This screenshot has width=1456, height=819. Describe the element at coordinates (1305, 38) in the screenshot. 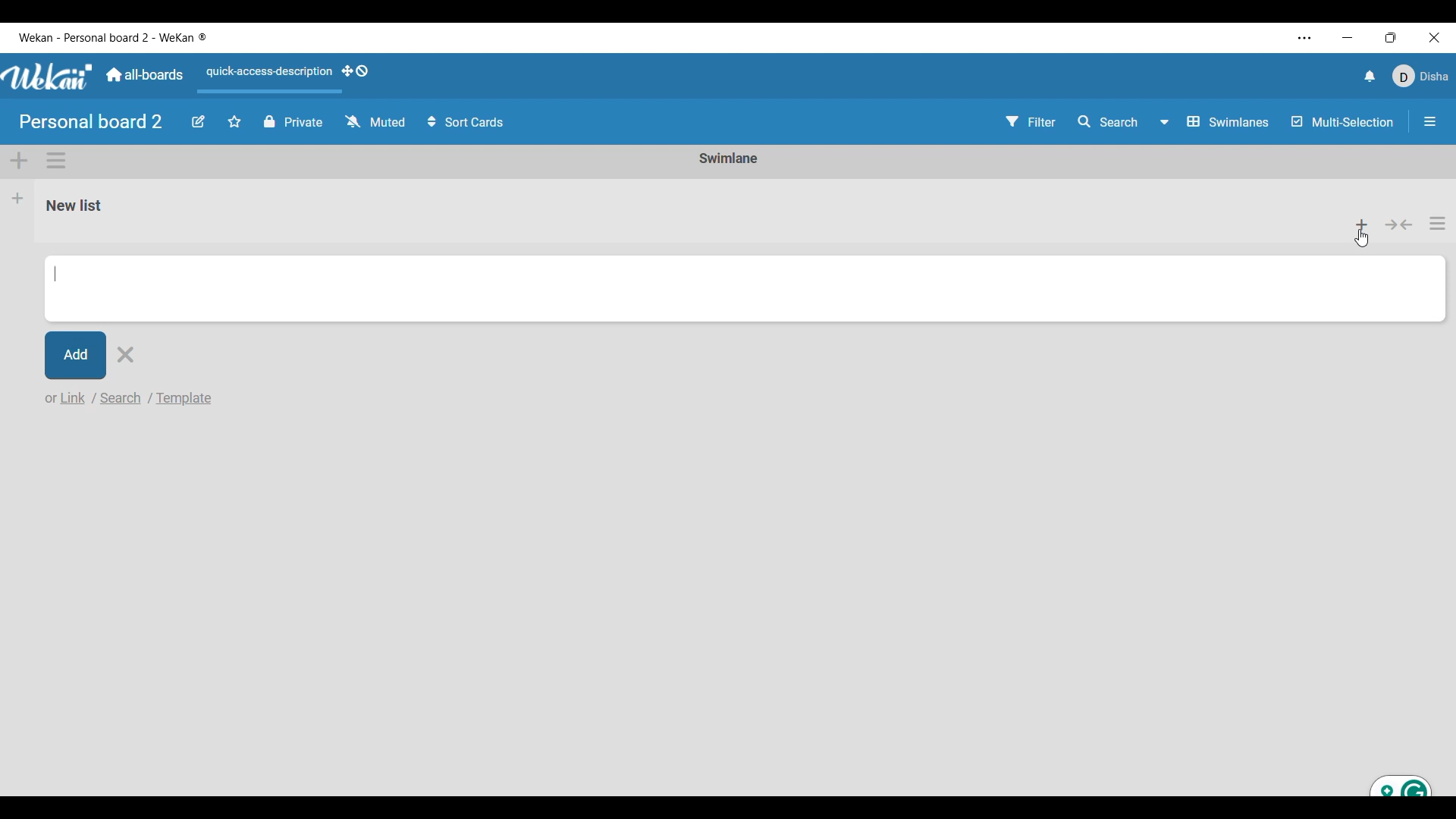

I see `More settings` at that location.